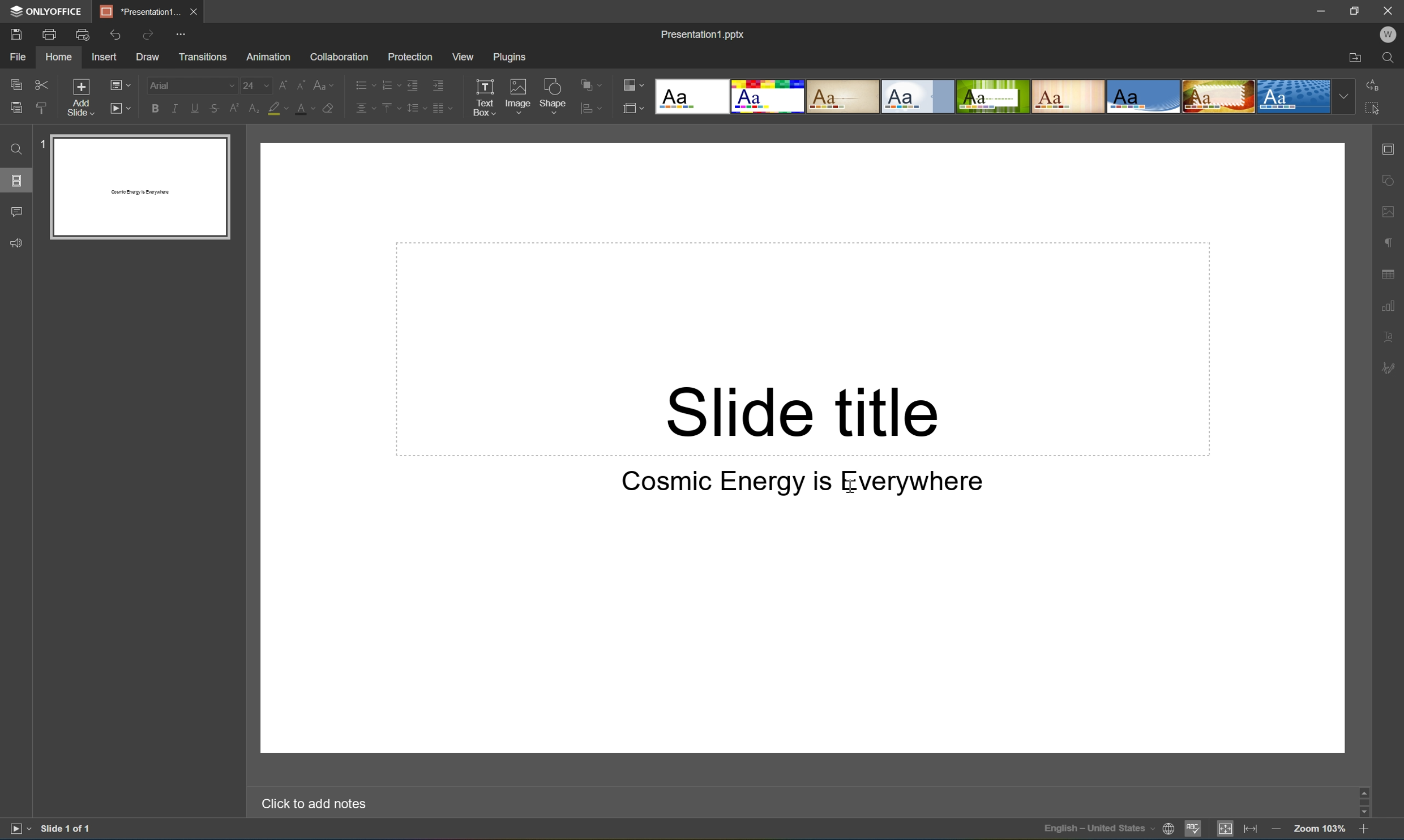 The image size is (1404, 840). I want to click on Cut, so click(45, 83).